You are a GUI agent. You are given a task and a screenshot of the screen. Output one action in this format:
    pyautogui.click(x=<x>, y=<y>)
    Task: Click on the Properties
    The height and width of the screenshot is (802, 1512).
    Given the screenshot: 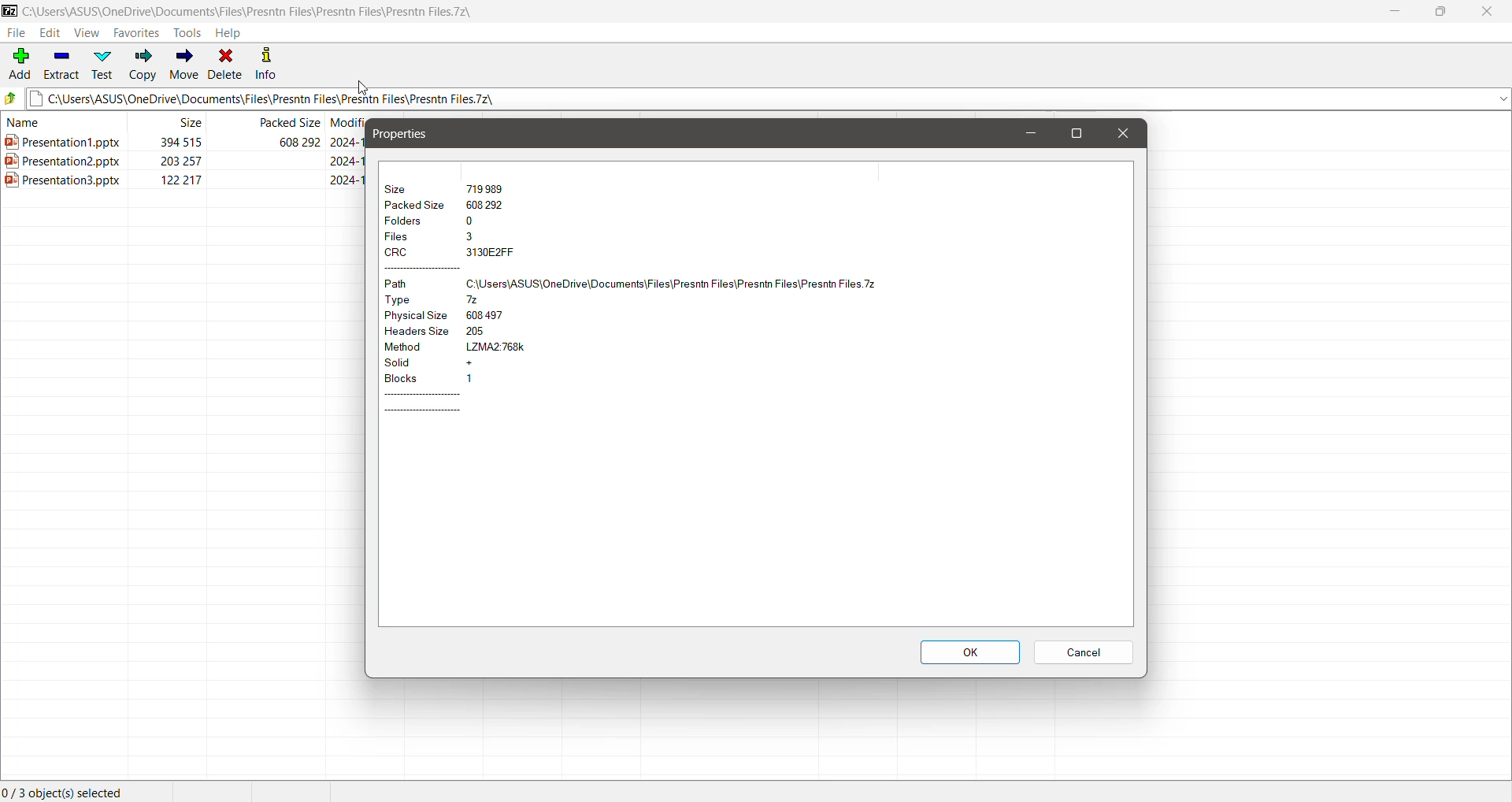 What is the action you would take?
    pyautogui.click(x=404, y=135)
    